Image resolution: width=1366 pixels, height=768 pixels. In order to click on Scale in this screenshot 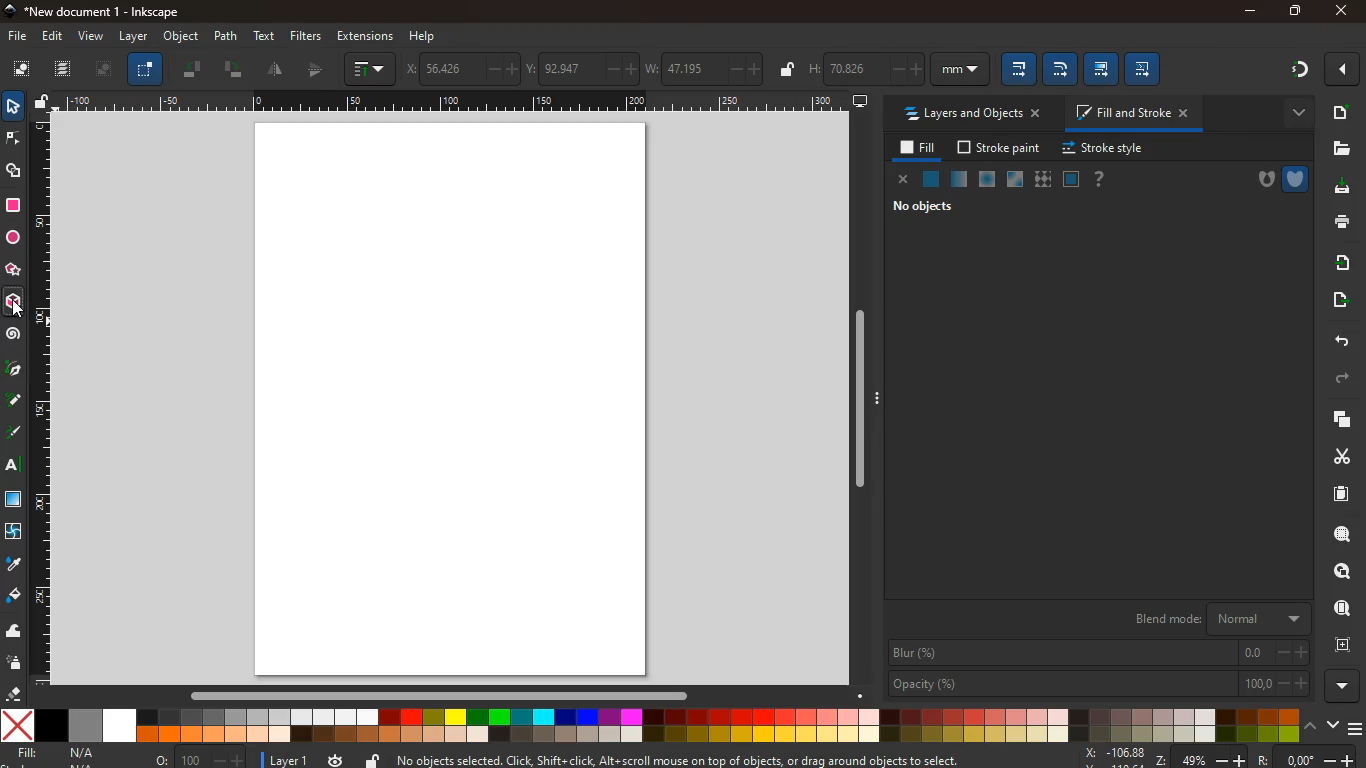, I will do `click(449, 99)`.